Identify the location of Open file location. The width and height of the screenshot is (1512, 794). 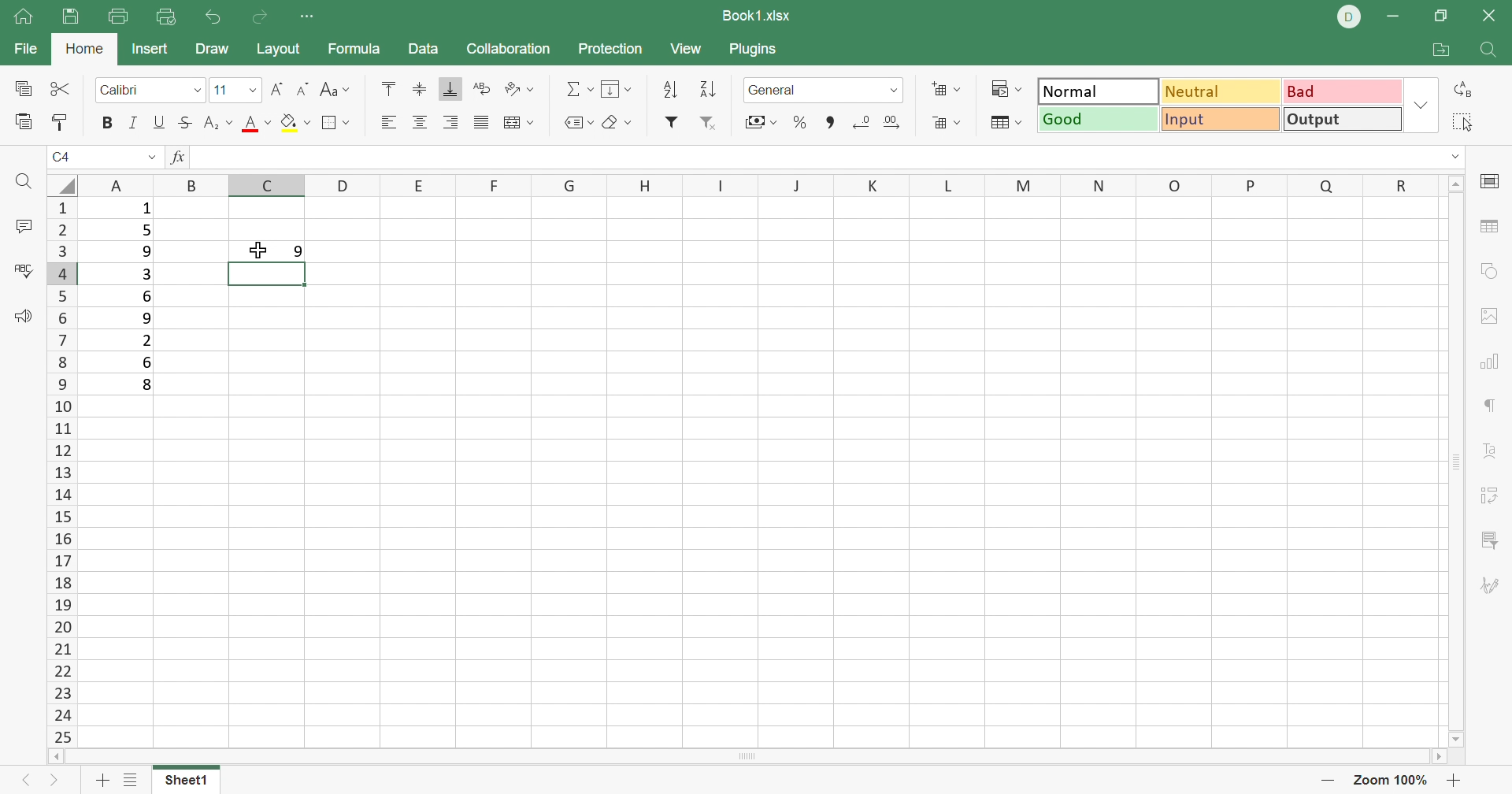
(1445, 48).